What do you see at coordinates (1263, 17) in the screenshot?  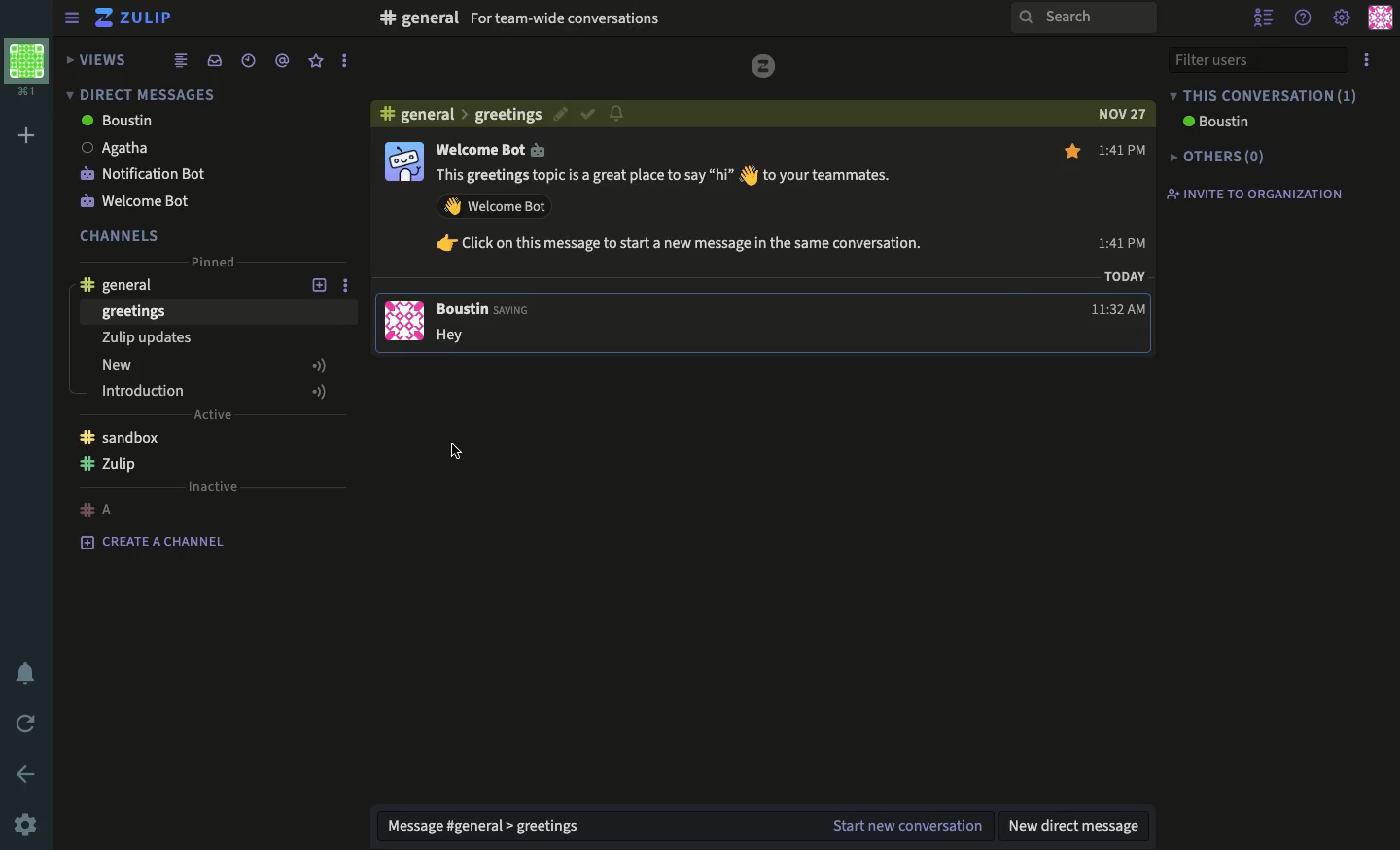 I see `hide user list` at bounding box center [1263, 17].